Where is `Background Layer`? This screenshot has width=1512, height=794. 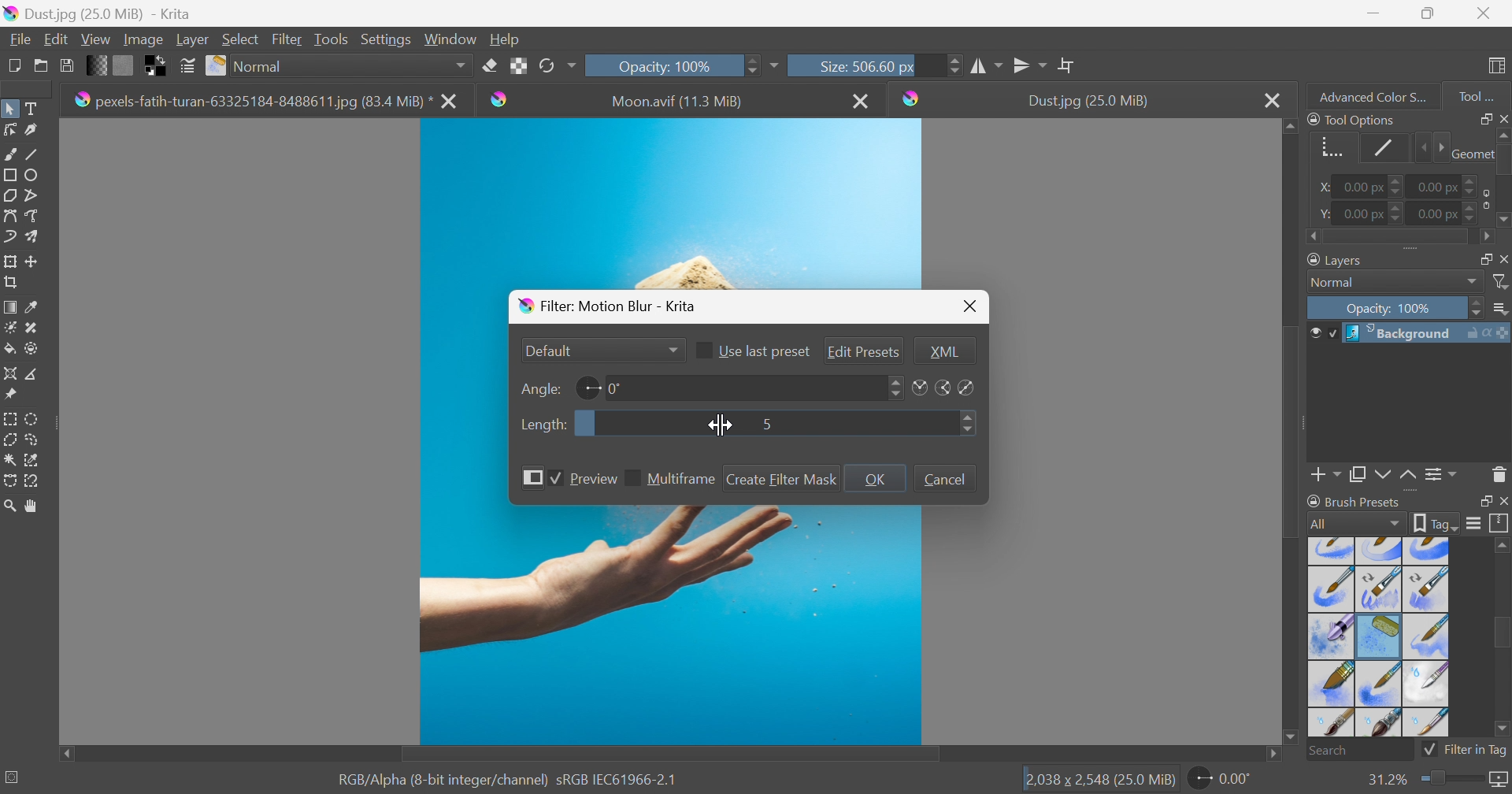 Background Layer is located at coordinates (1426, 333).